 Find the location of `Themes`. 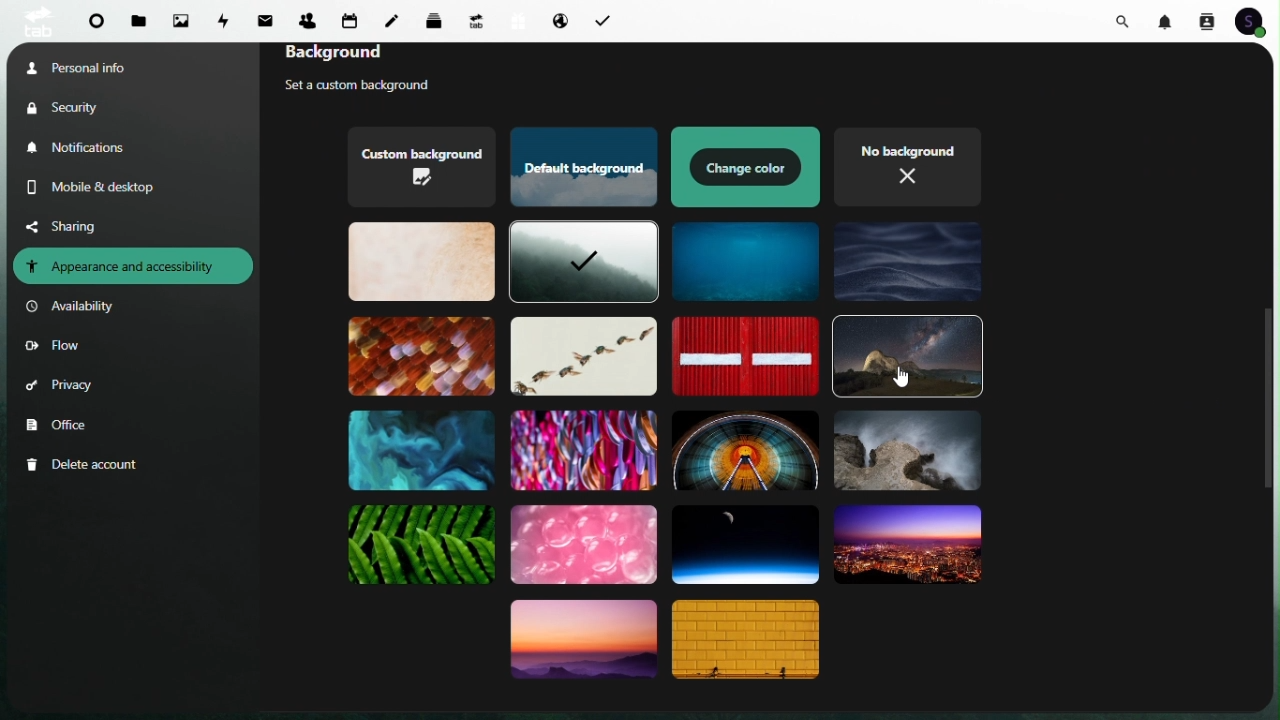

Themes is located at coordinates (581, 168).